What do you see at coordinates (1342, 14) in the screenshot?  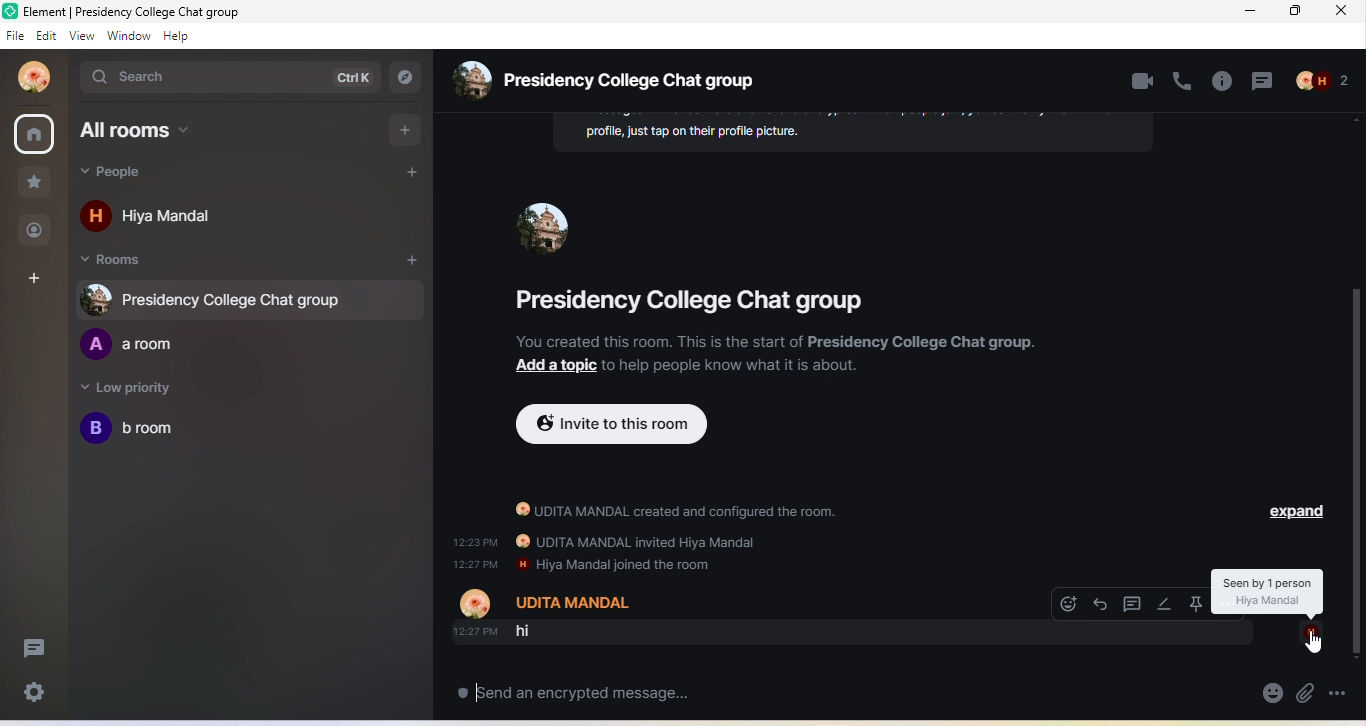 I see `close` at bounding box center [1342, 14].